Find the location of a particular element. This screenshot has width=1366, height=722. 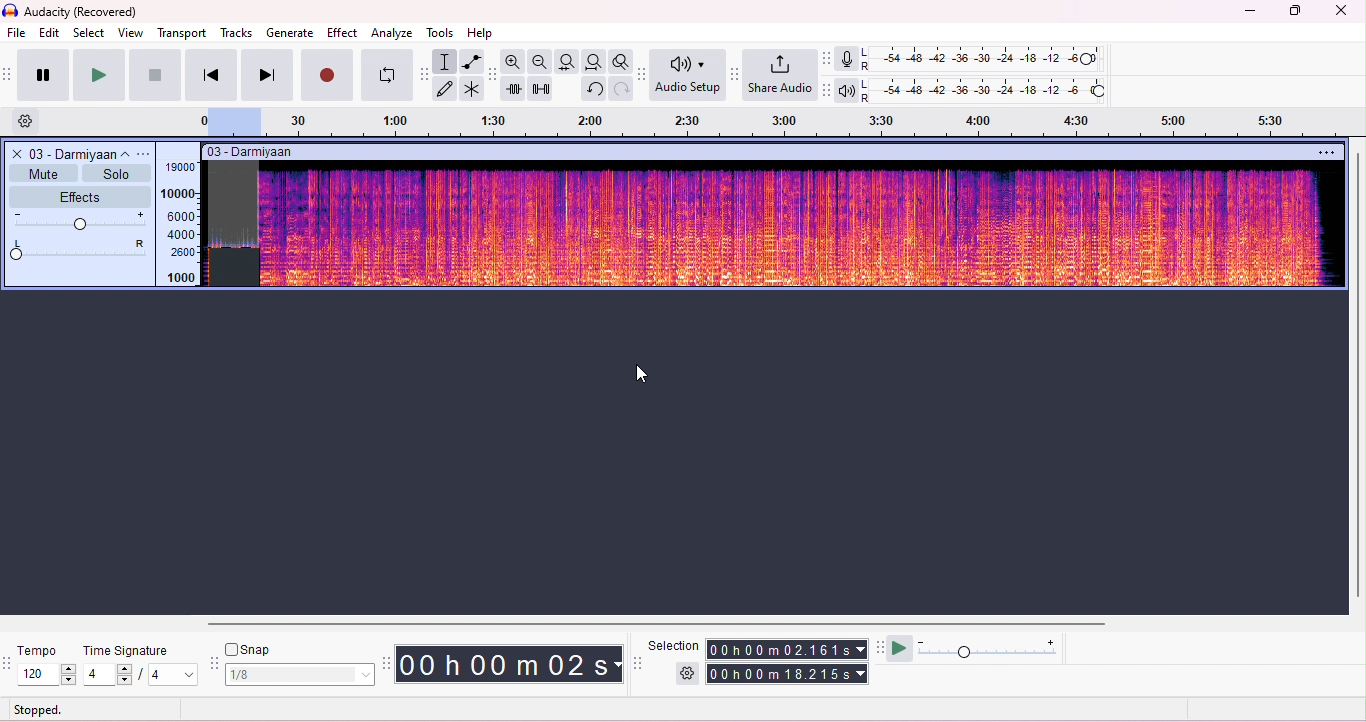

close track is located at coordinates (15, 153).